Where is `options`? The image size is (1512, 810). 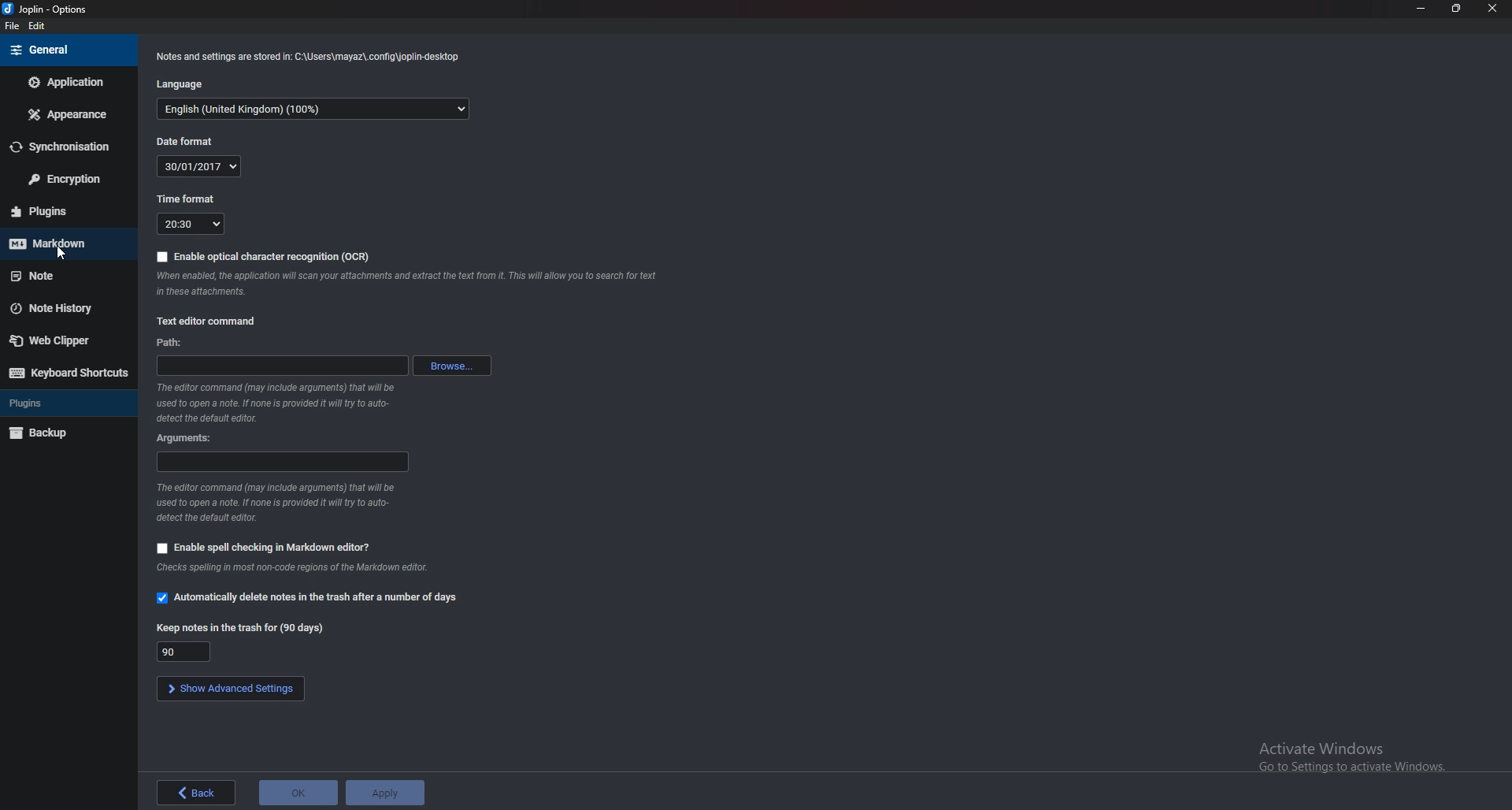
options is located at coordinates (51, 9).